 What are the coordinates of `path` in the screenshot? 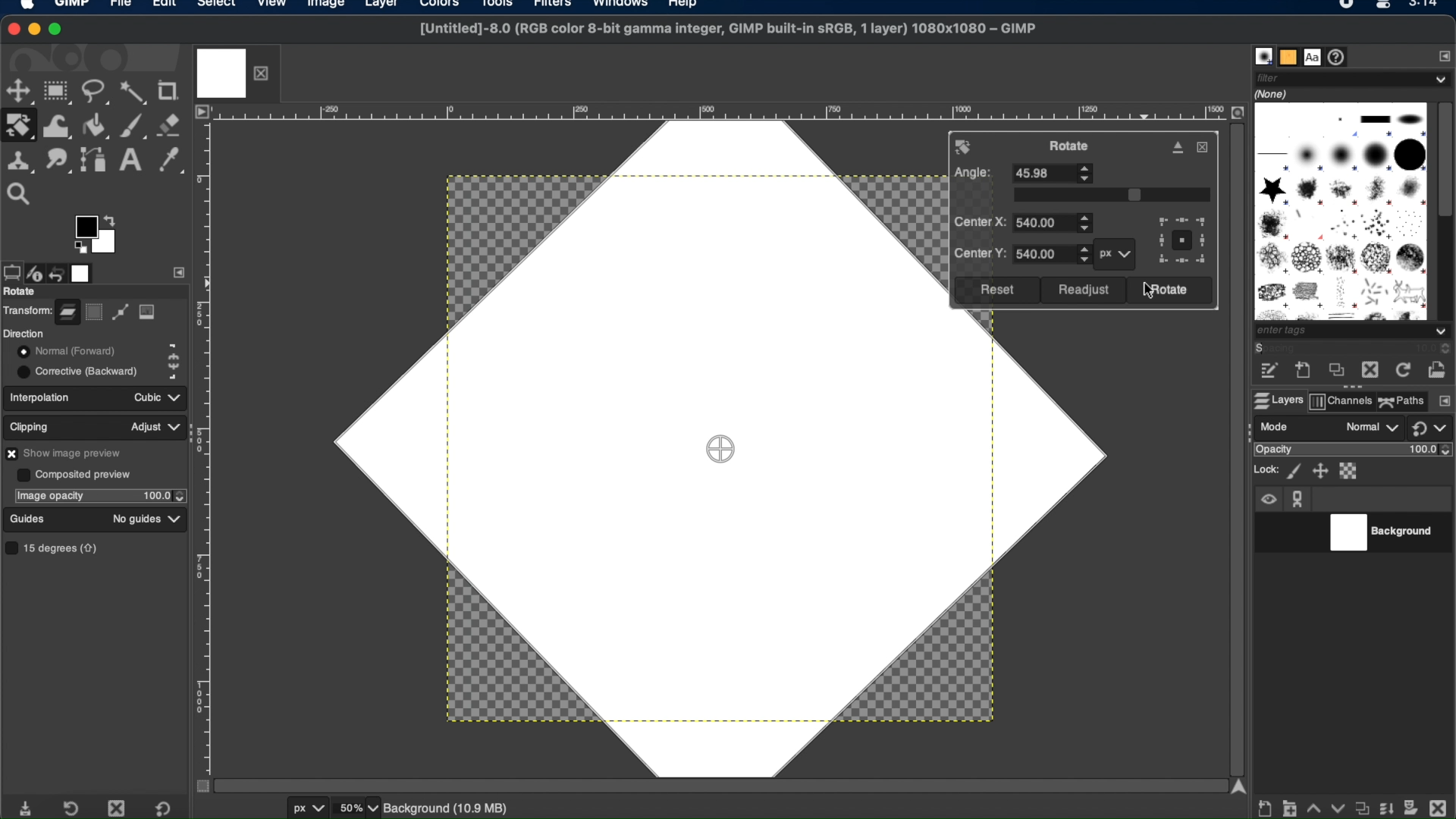 It's located at (120, 314).